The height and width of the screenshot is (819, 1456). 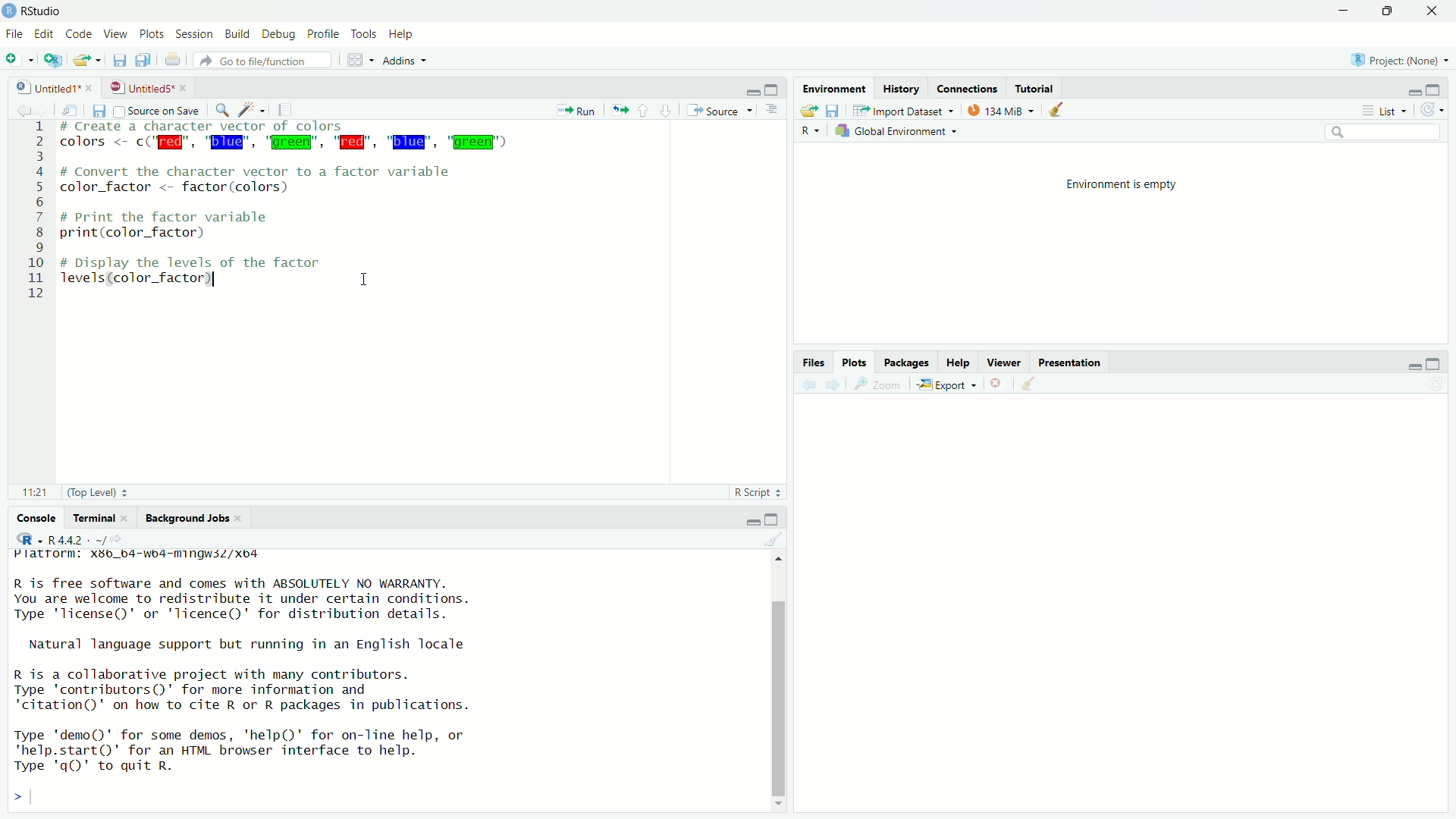 I want to click on terminal, so click(x=101, y=517).